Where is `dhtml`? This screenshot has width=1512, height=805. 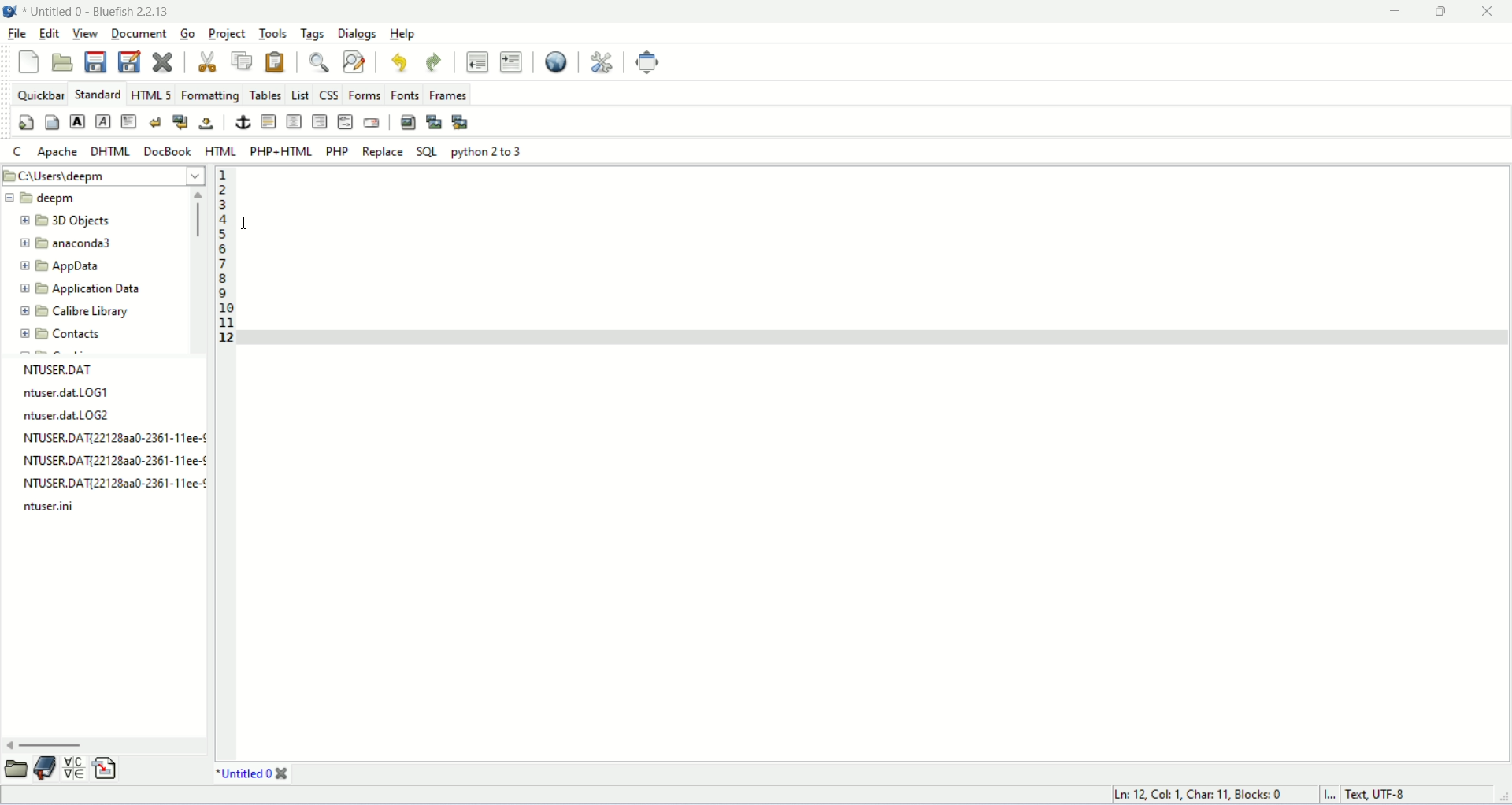
dhtml is located at coordinates (113, 151).